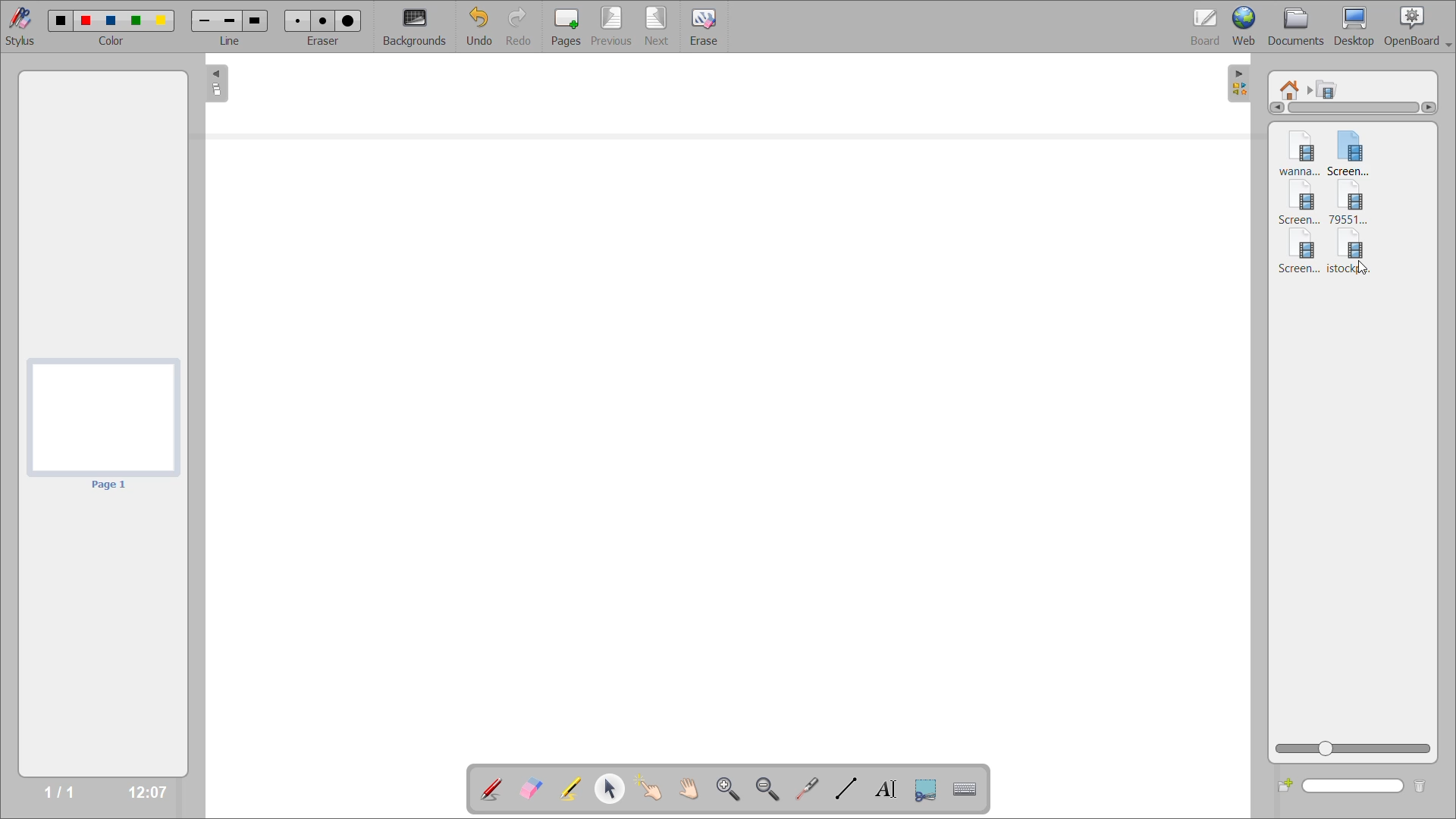 Image resolution: width=1456 pixels, height=819 pixels. I want to click on backgrounds, so click(417, 26).